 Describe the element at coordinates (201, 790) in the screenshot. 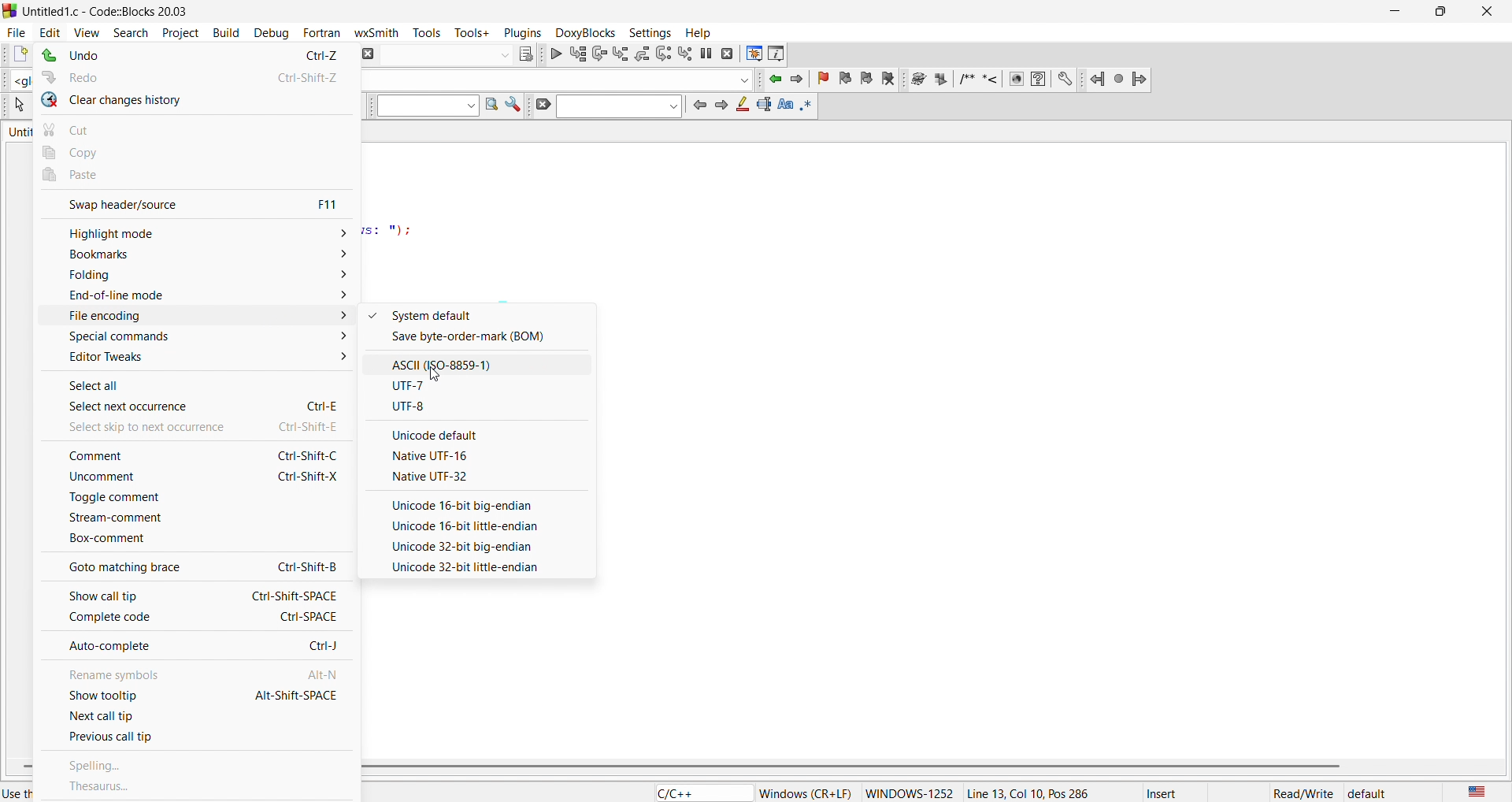

I see `thesaurus` at that location.